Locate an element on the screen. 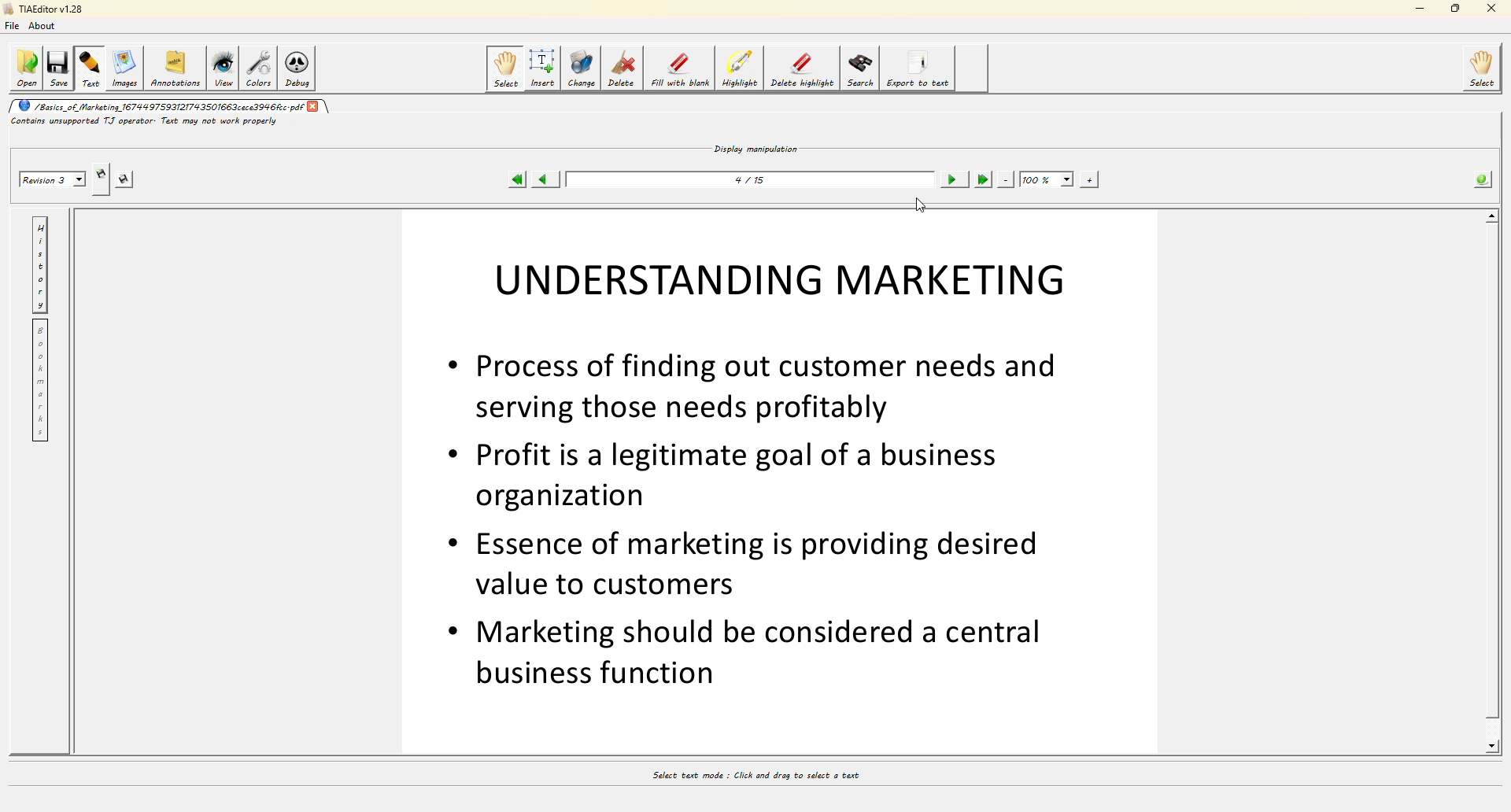  display manipulation is located at coordinates (754, 149).